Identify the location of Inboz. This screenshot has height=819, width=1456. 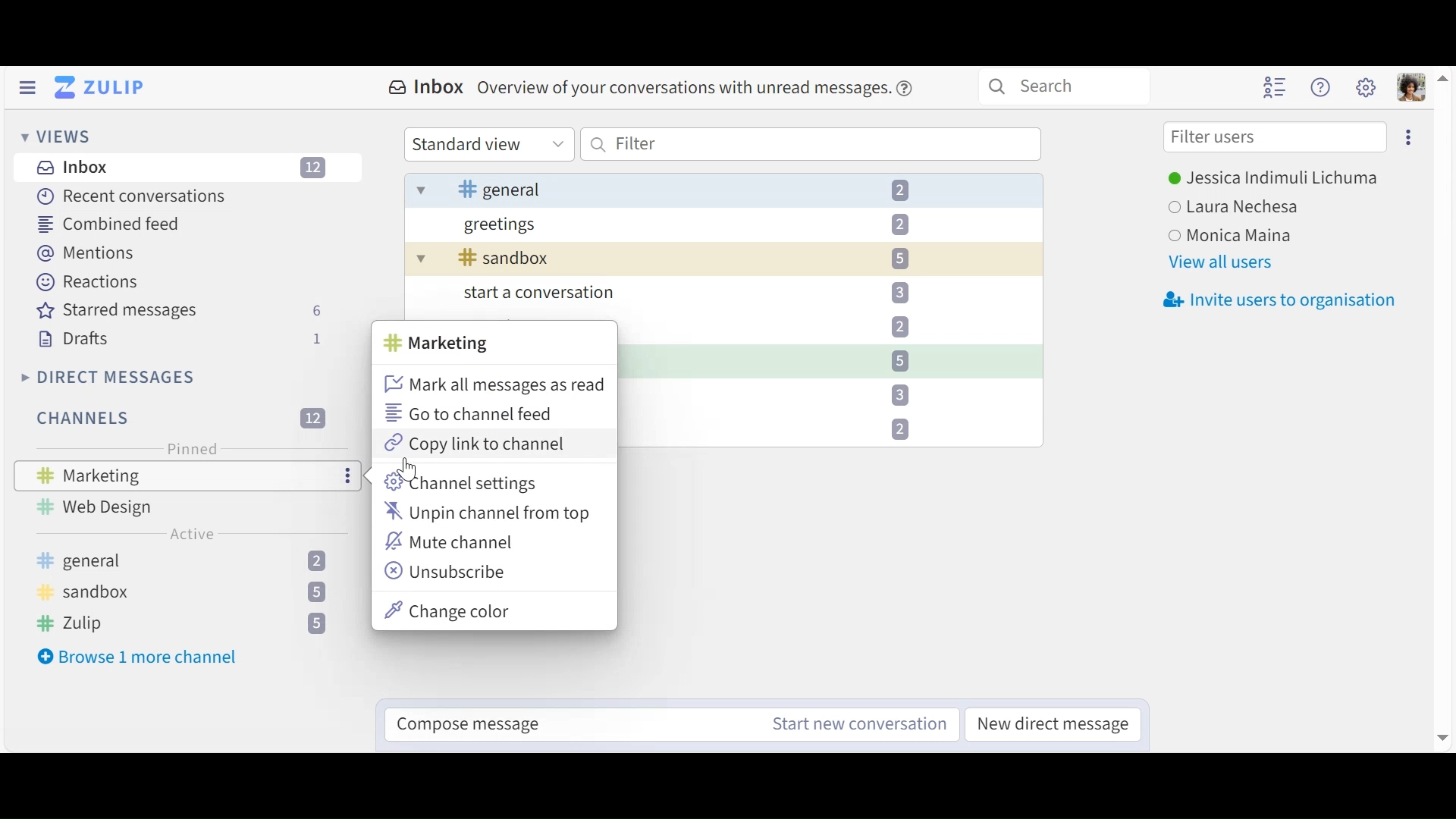
(183, 169).